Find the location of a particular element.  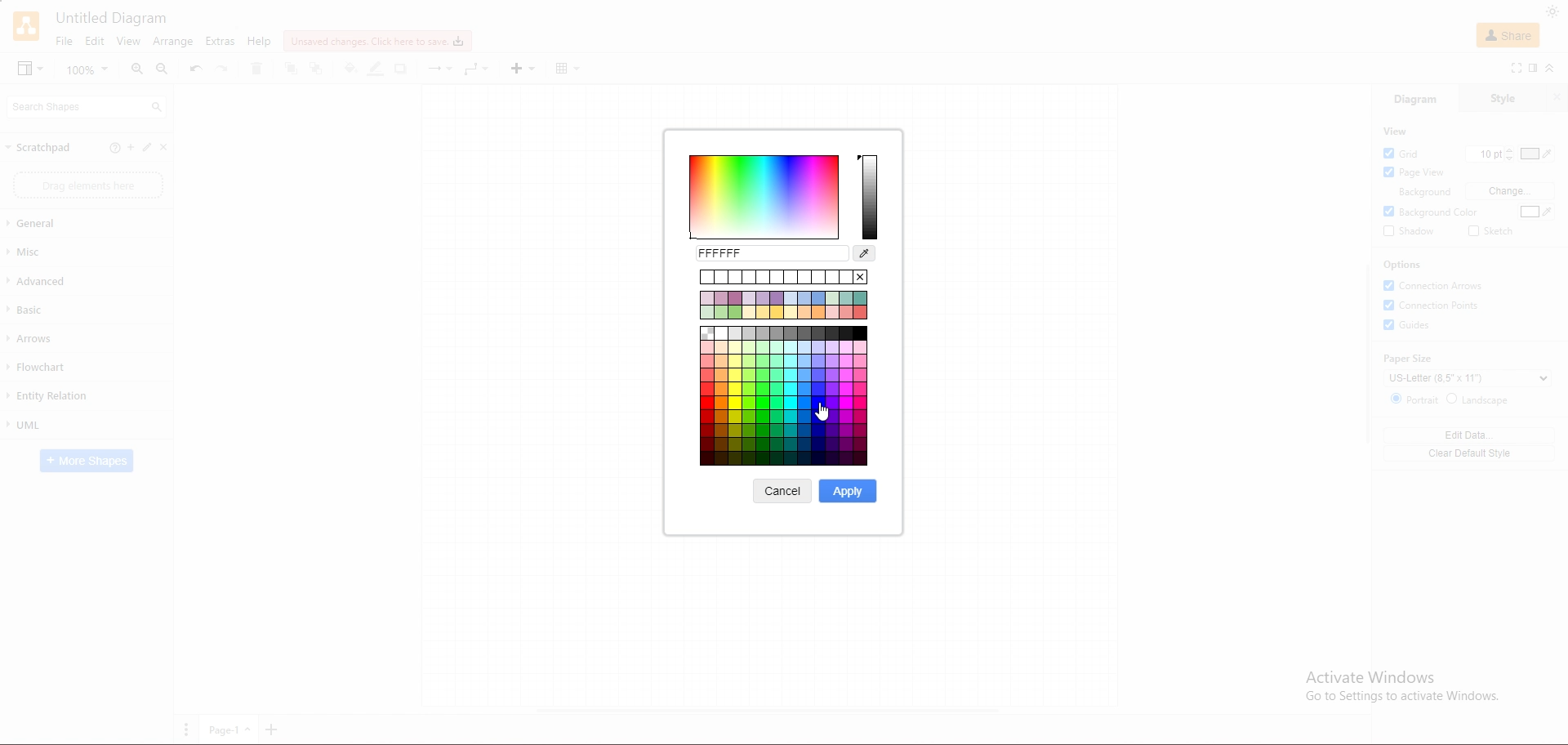

waterdrop is located at coordinates (864, 254).